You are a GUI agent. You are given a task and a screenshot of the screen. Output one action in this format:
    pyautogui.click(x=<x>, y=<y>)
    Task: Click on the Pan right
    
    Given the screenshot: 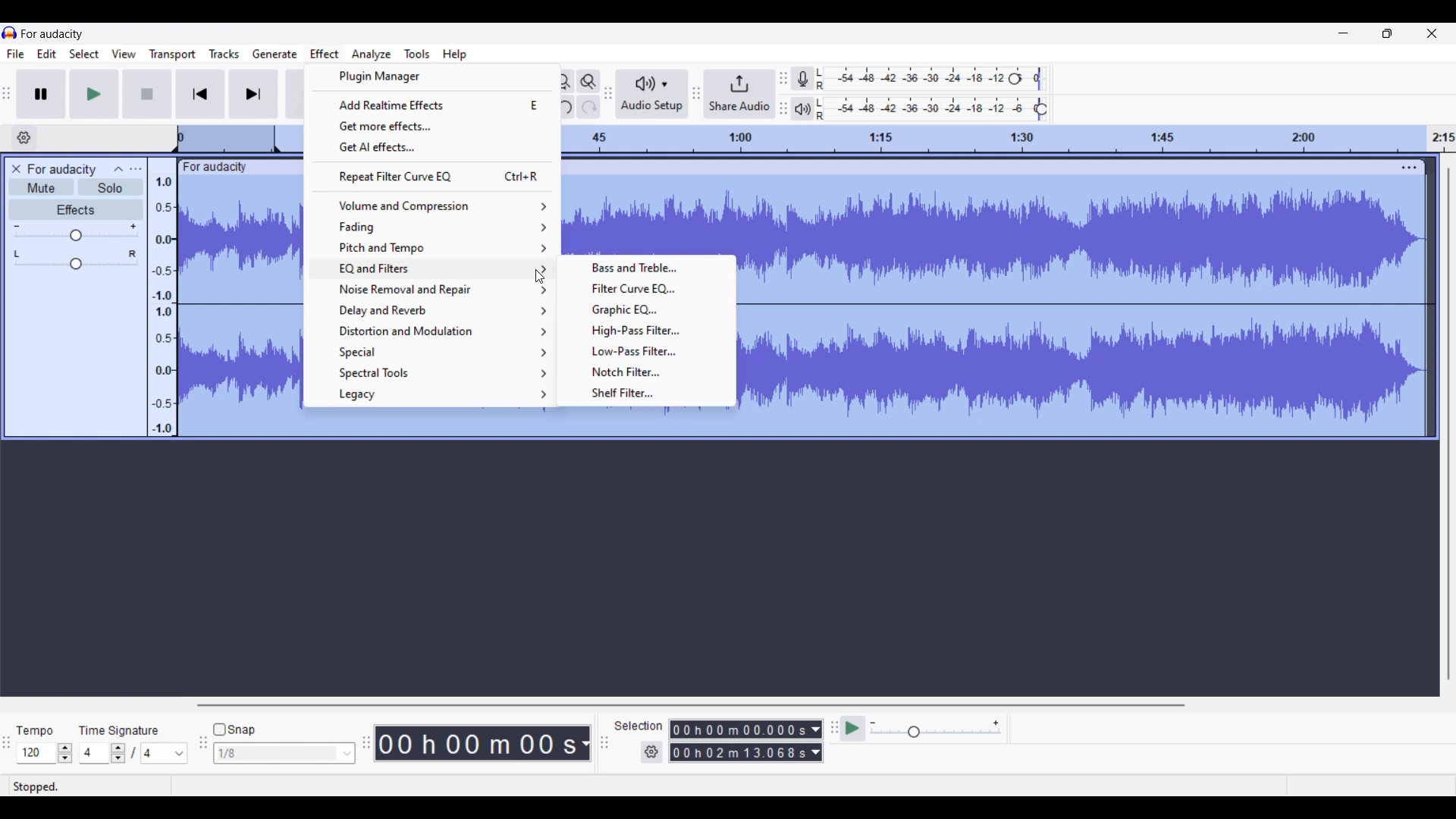 What is the action you would take?
    pyautogui.click(x=133, y=254)
    